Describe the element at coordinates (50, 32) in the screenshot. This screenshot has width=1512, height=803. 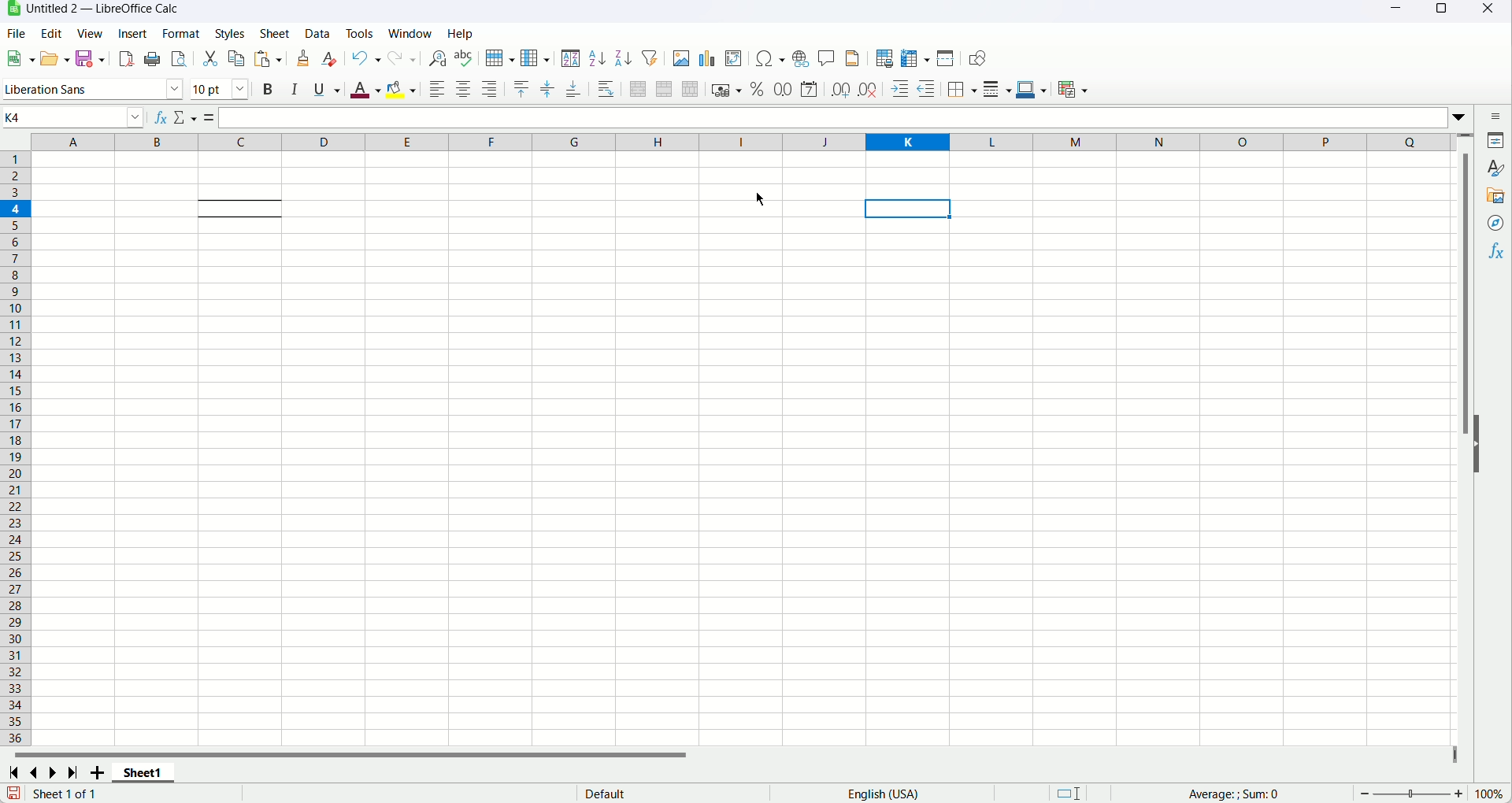
I see `Edit` at that location.